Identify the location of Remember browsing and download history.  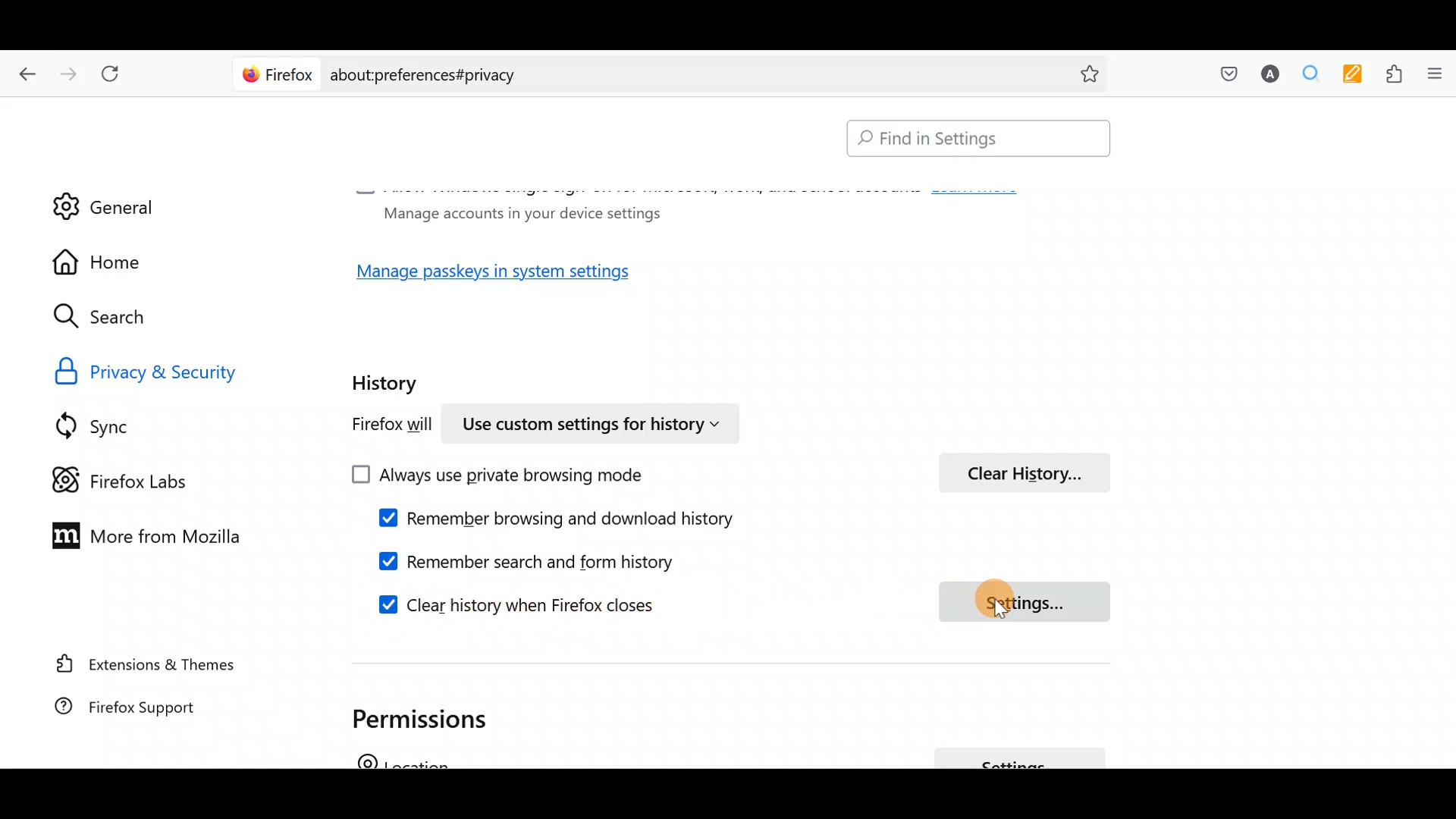
(570, 521).